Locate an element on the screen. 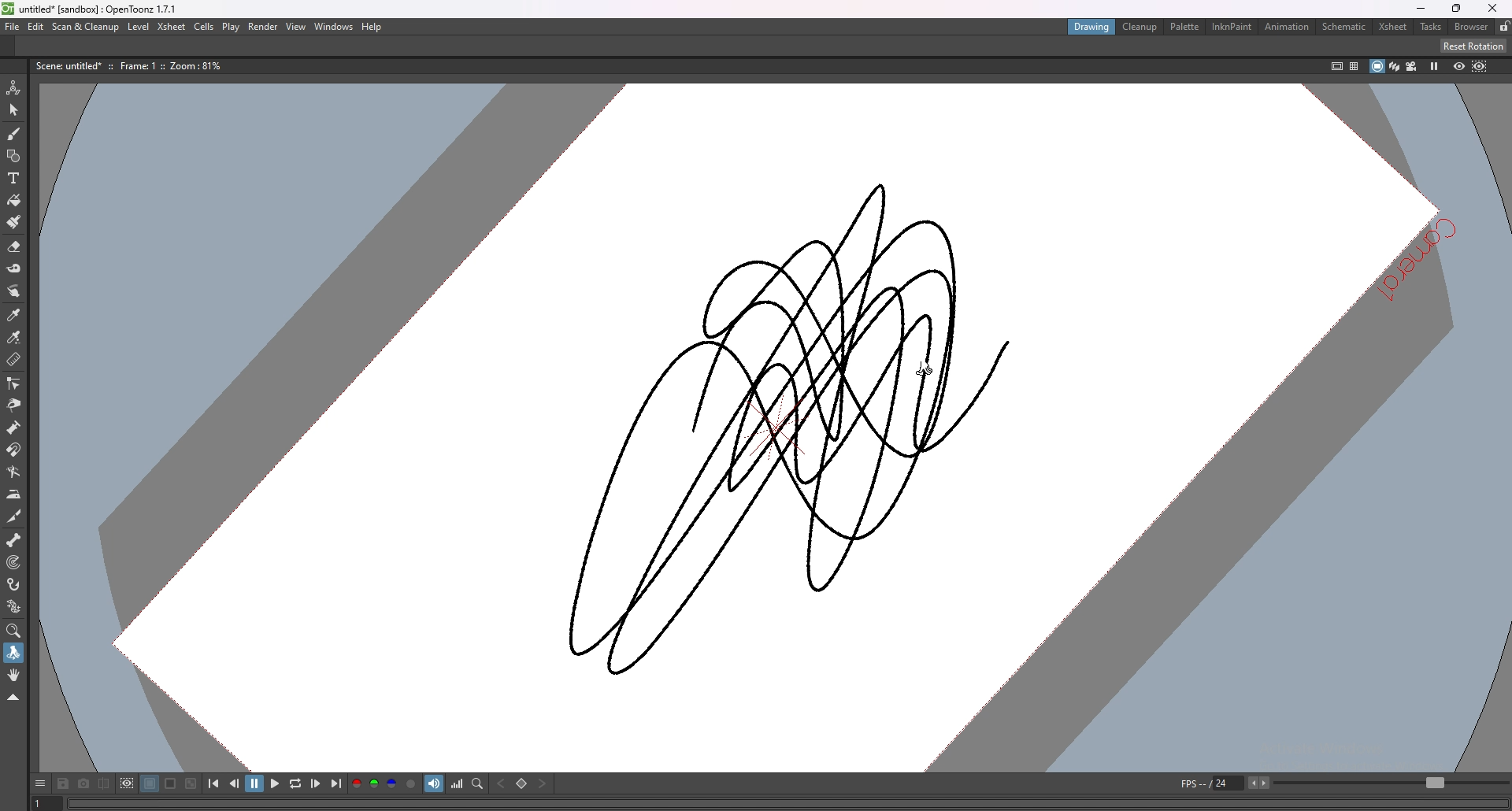 This screenshot has width=1512, height=811. paint tool is located at coordinates (14, 200).